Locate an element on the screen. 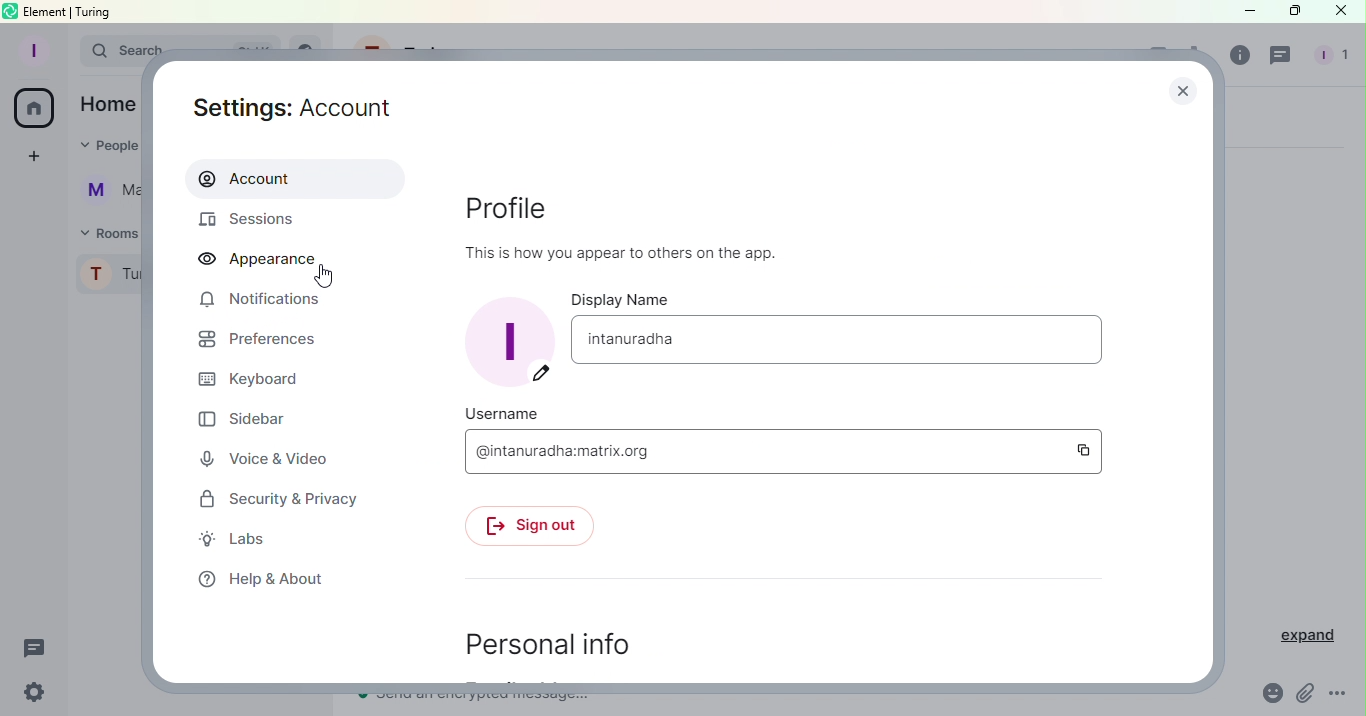  Room info is located at coordinates (1239, 54).